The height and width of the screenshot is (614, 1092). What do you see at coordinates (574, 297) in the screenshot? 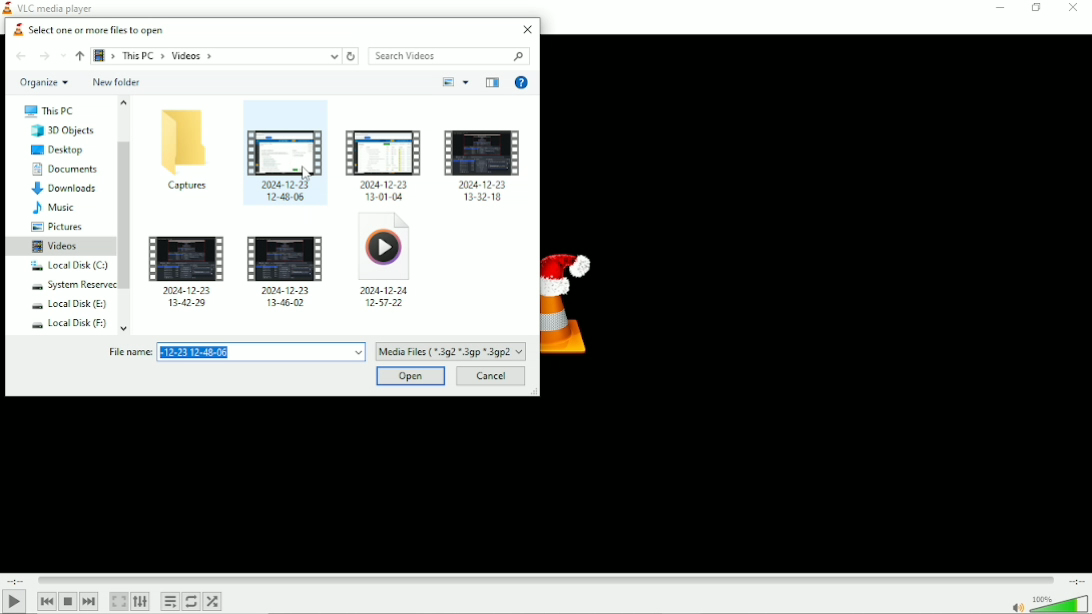
I see `Logo` at bounding box center [574, 297].